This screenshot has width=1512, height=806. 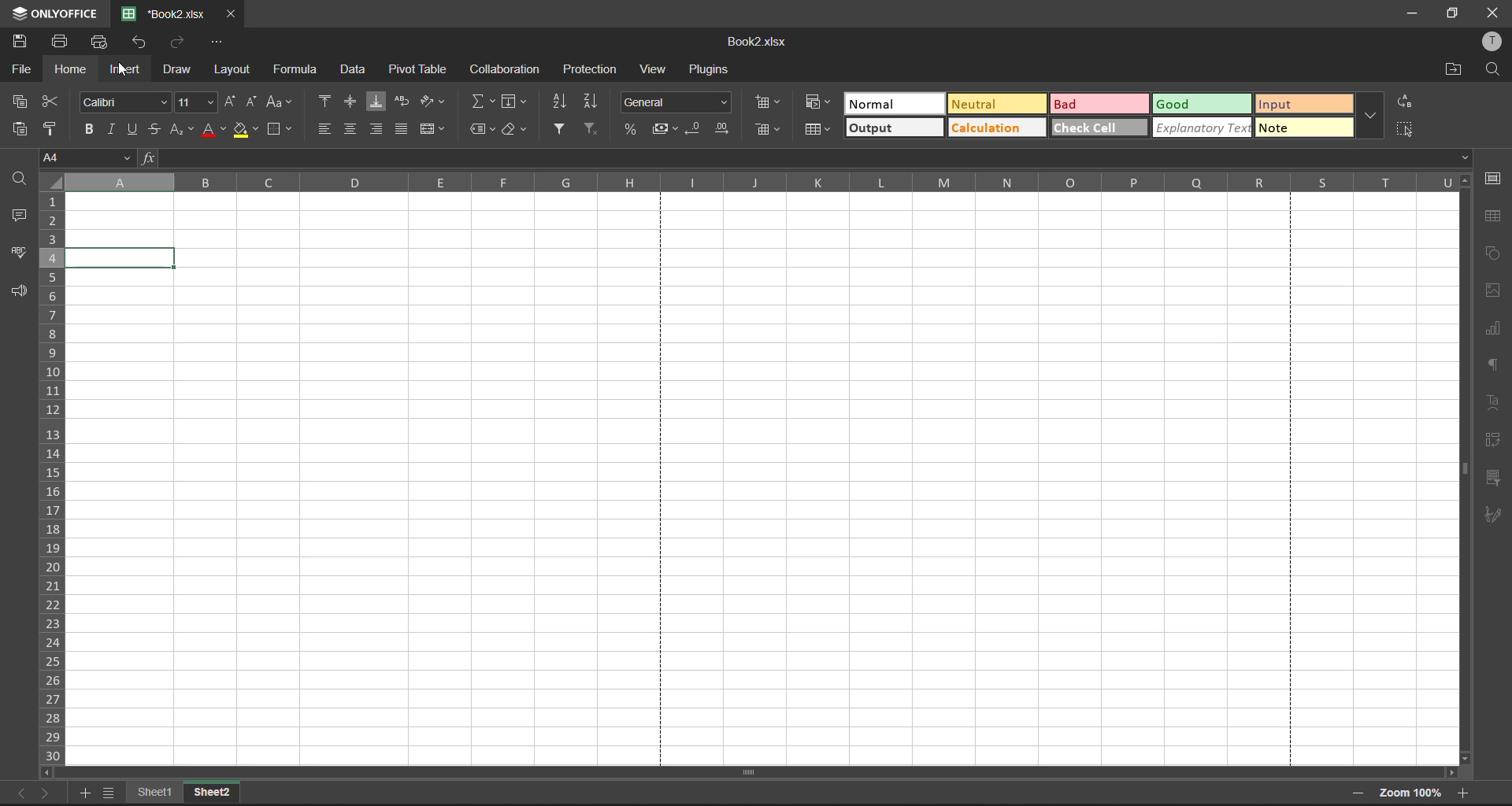 What do you see at coordinates (1100, 104) in the screenshot?
I see `bad` at bounding box center [1100, 104].